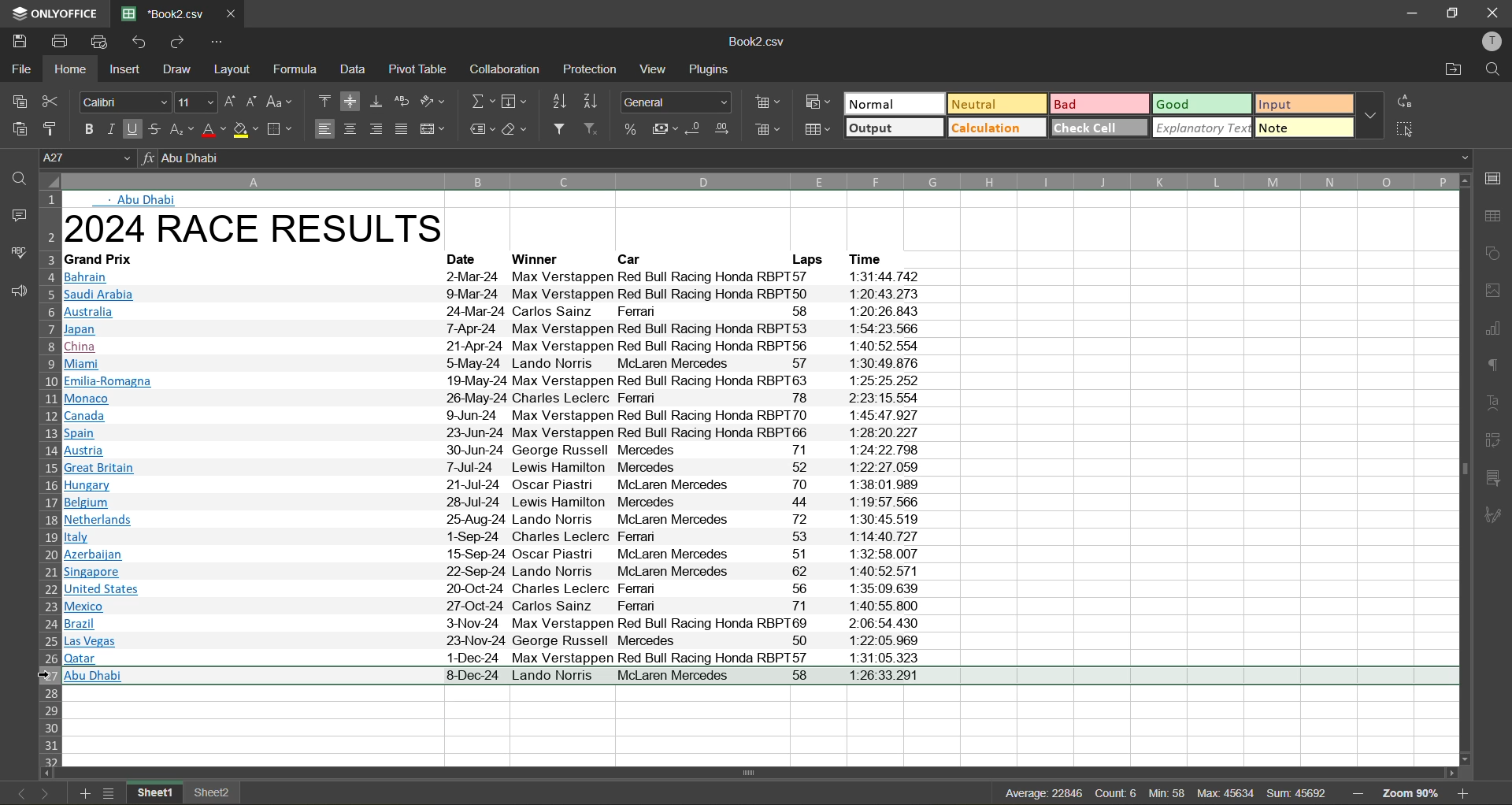 The height and width of the screenshot is (805, 1512). I want to click on field, so click(513, 103).